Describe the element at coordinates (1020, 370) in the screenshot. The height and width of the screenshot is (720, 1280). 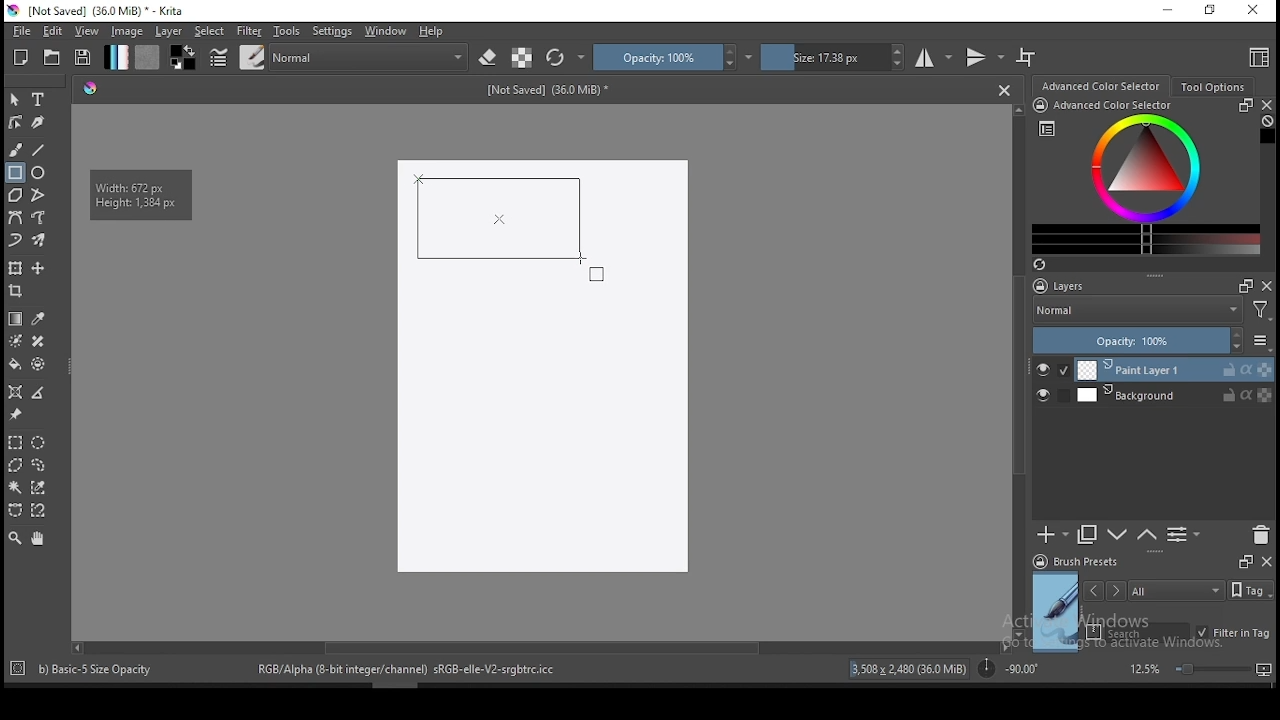
I see `scroll bar` at that location.